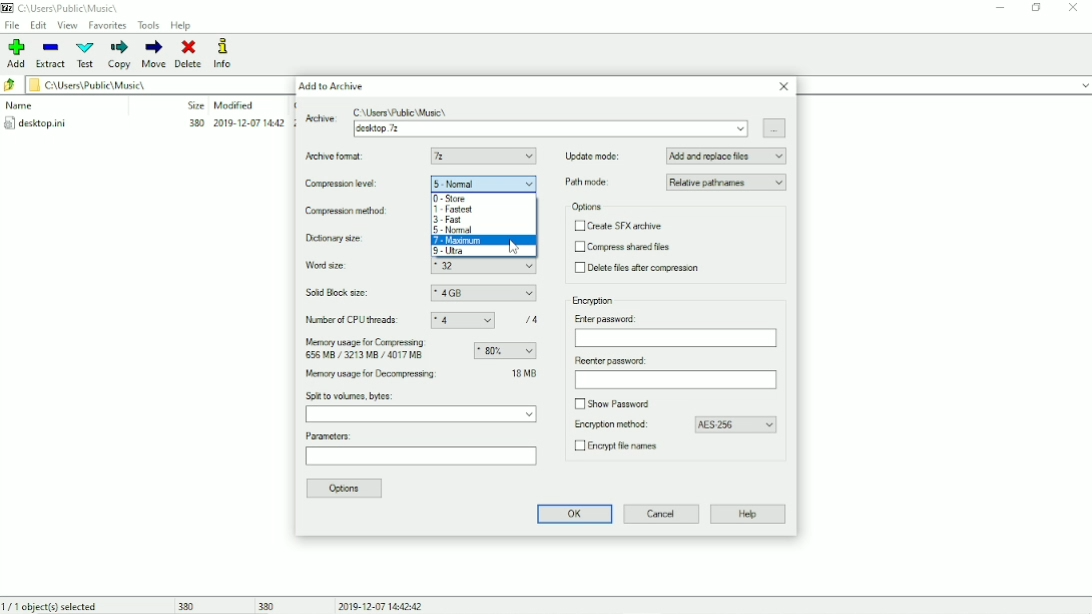  What do you see at coordinates (616, 404) in the screenshot?
I see `Show password` at bounding box center [616, 404].